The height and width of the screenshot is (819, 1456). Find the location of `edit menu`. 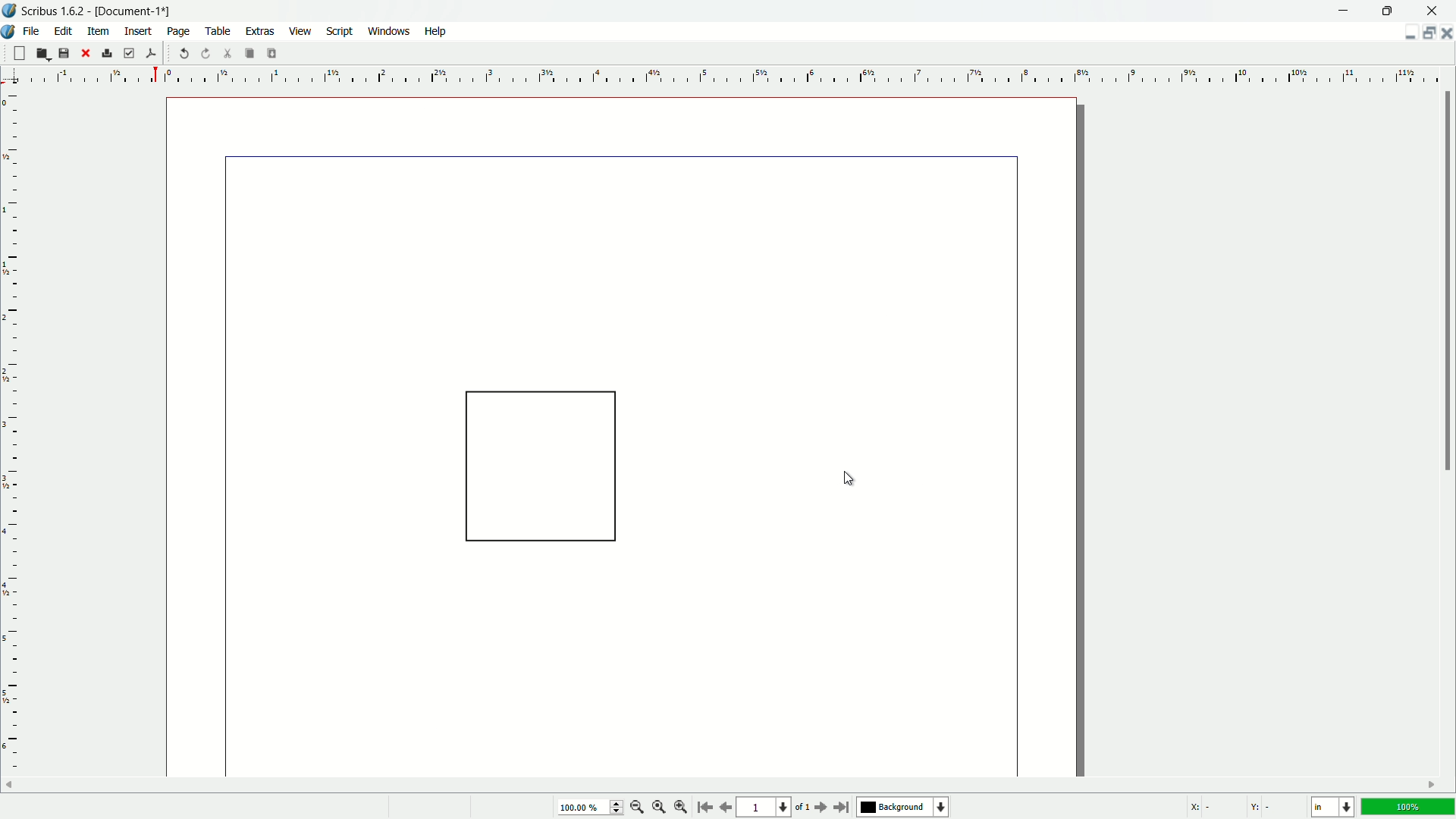

edit menu is located at coordinates (61, 32).